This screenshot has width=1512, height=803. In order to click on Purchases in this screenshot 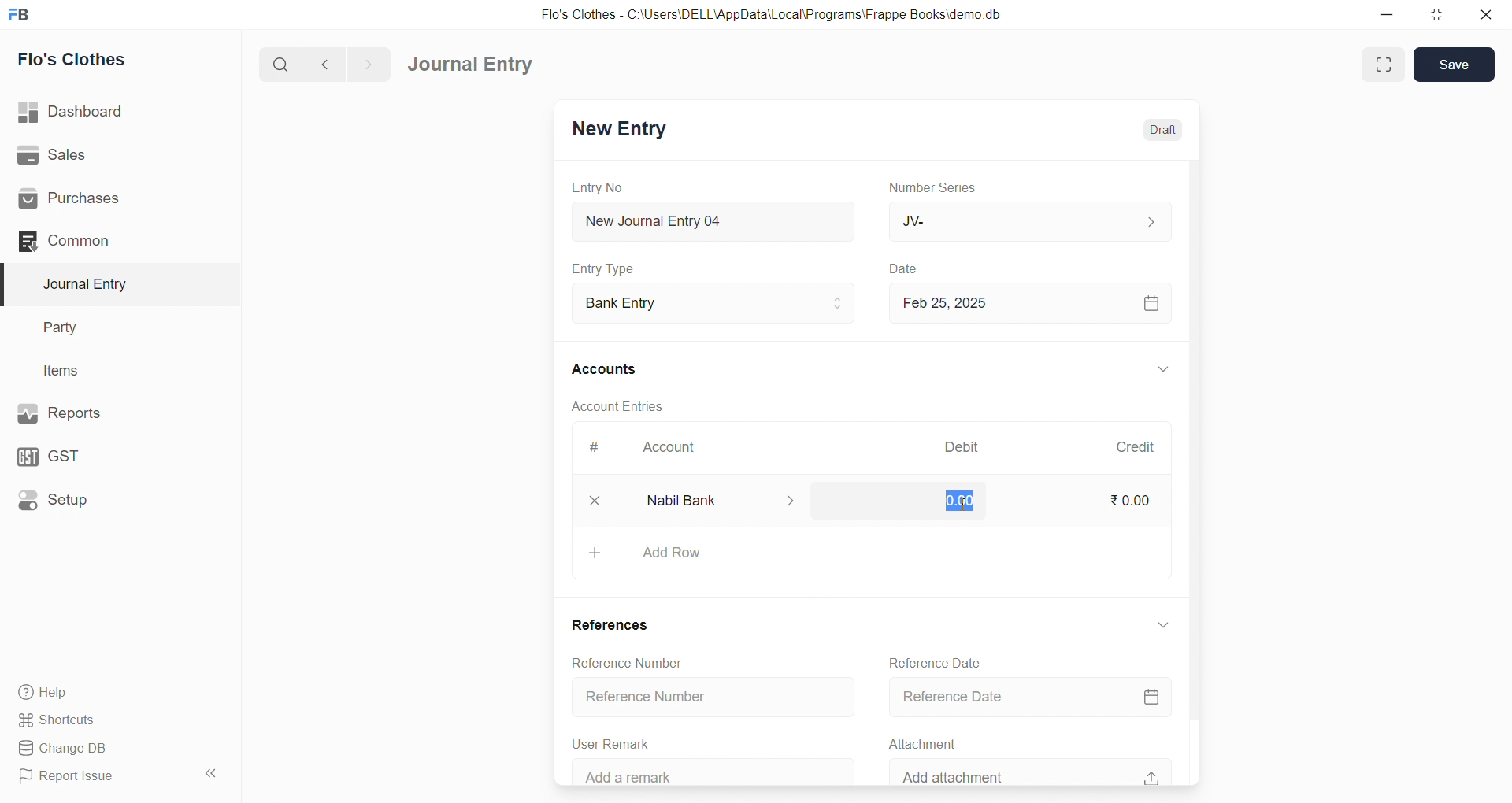, I will do `click(113, 199)`.